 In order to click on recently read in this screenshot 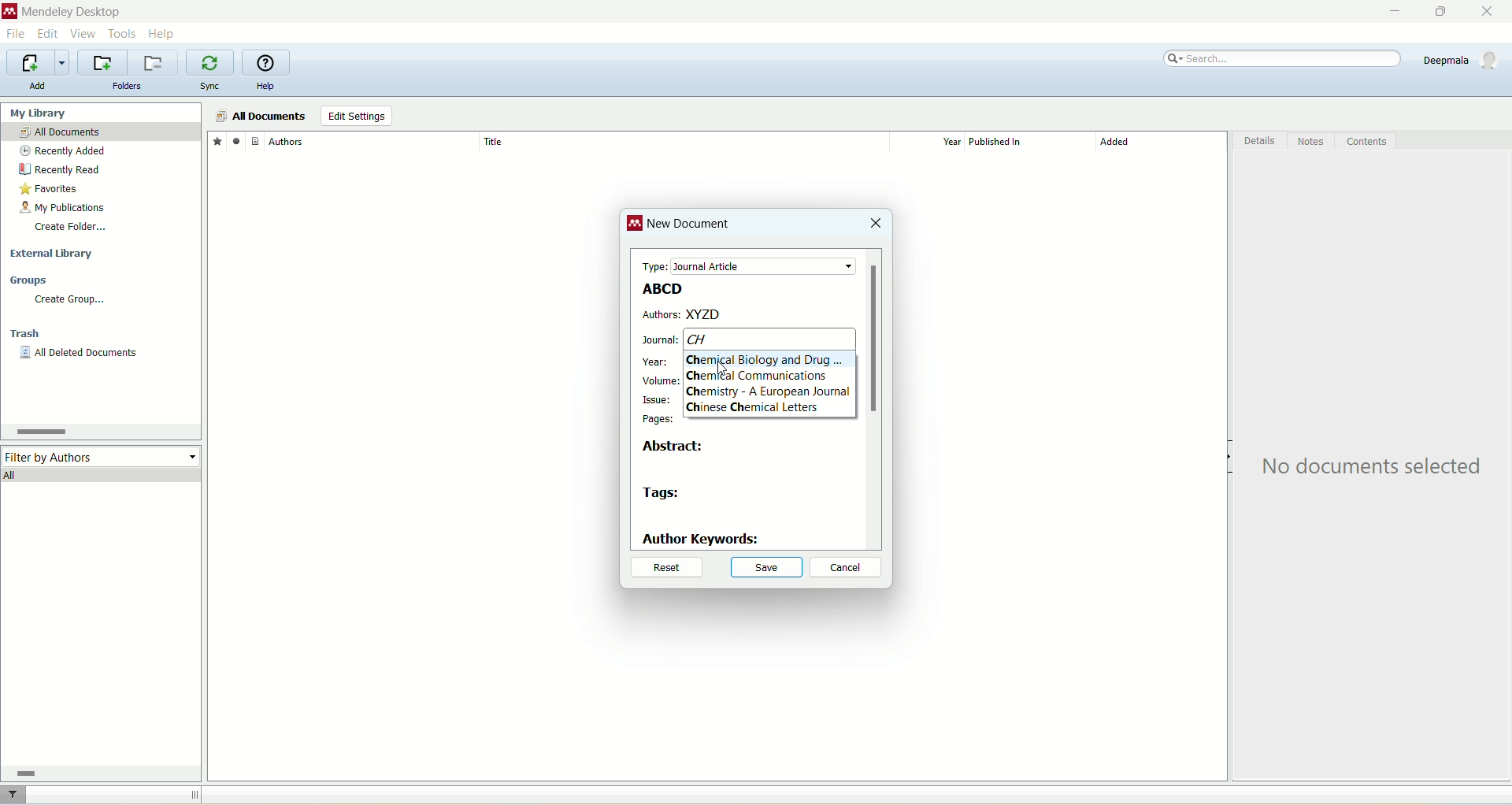, I will do `click(59, 169)`.